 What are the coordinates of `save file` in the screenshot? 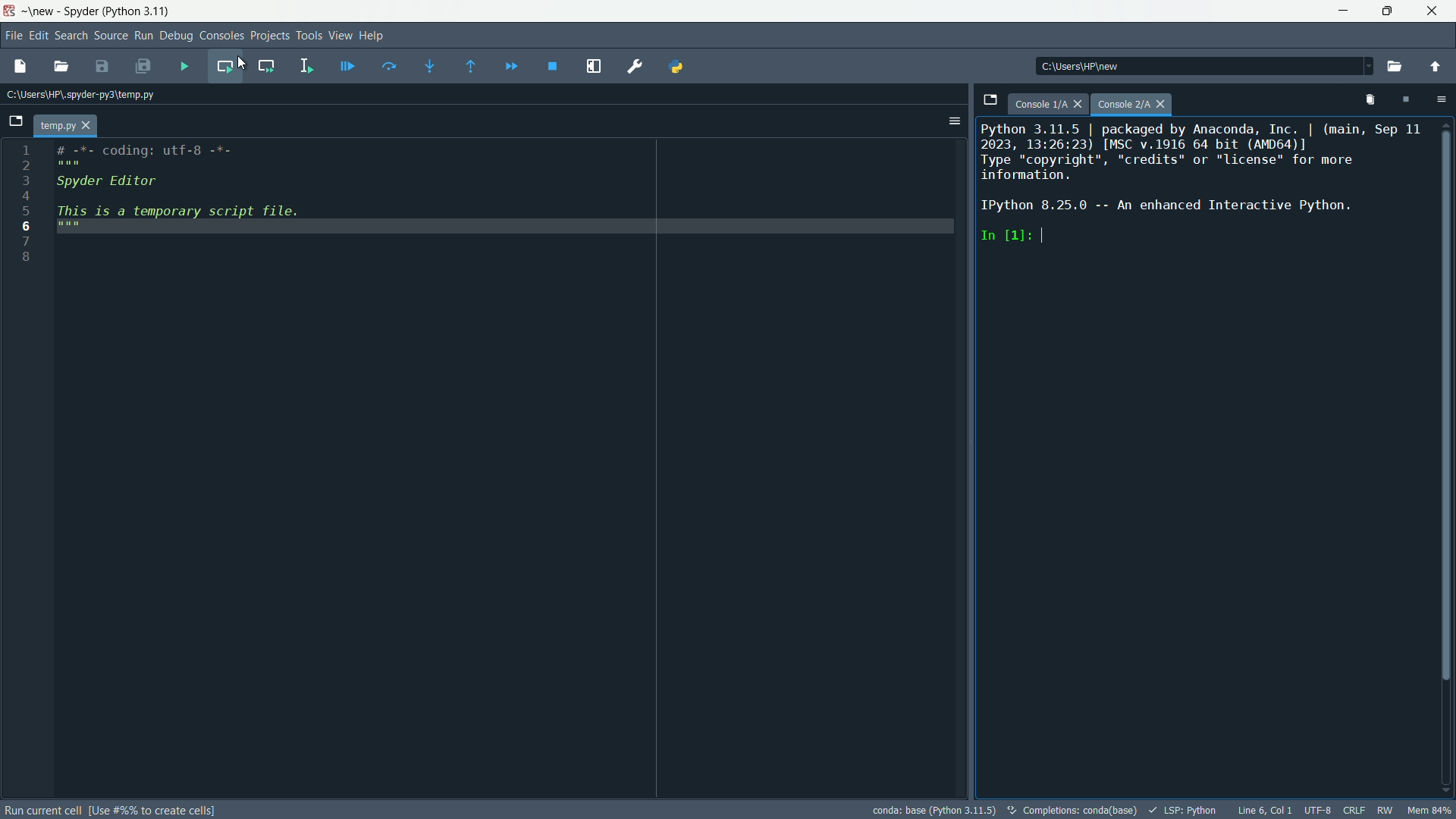 It's located at (103, 67).